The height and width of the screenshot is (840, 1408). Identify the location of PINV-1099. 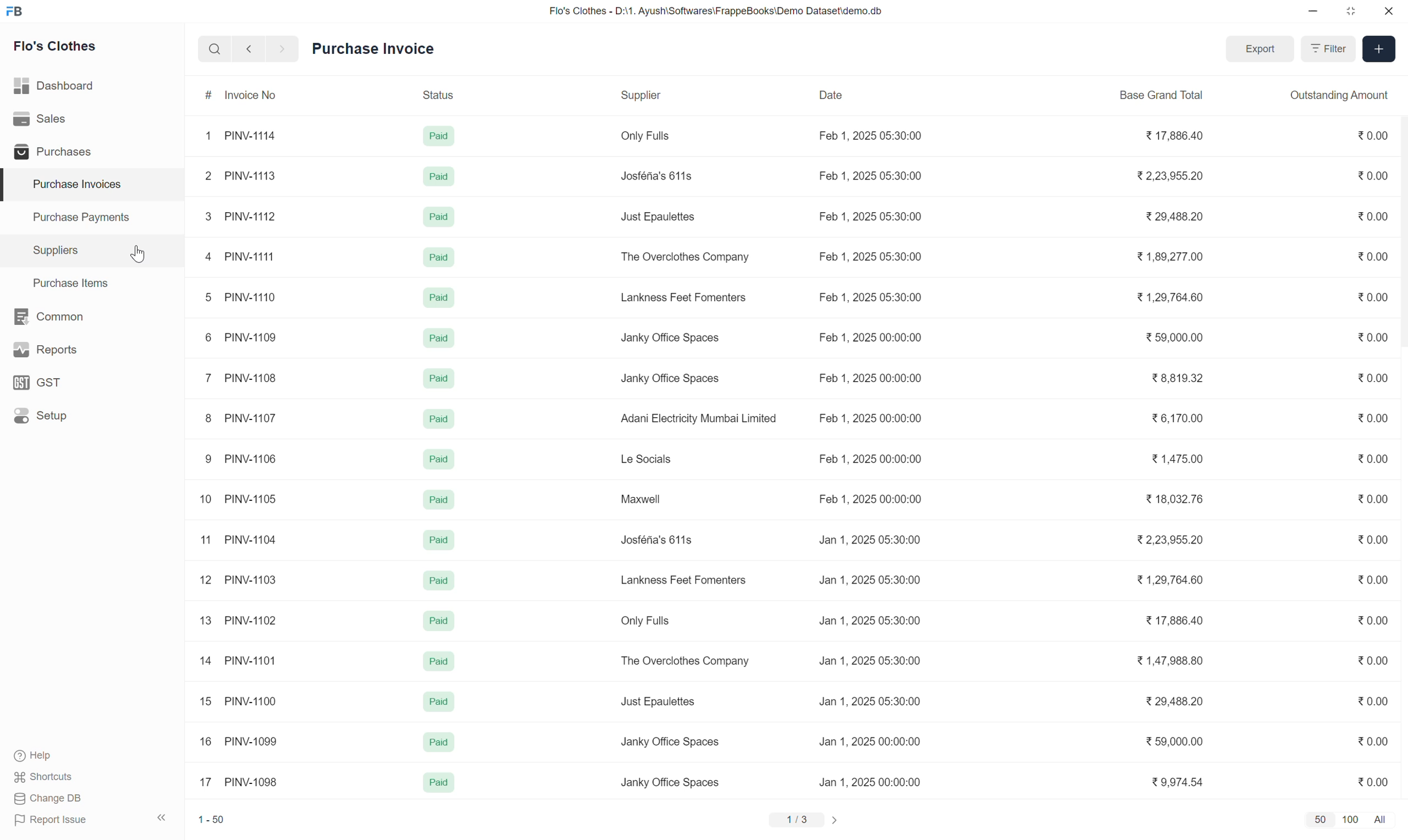
(252, 742).